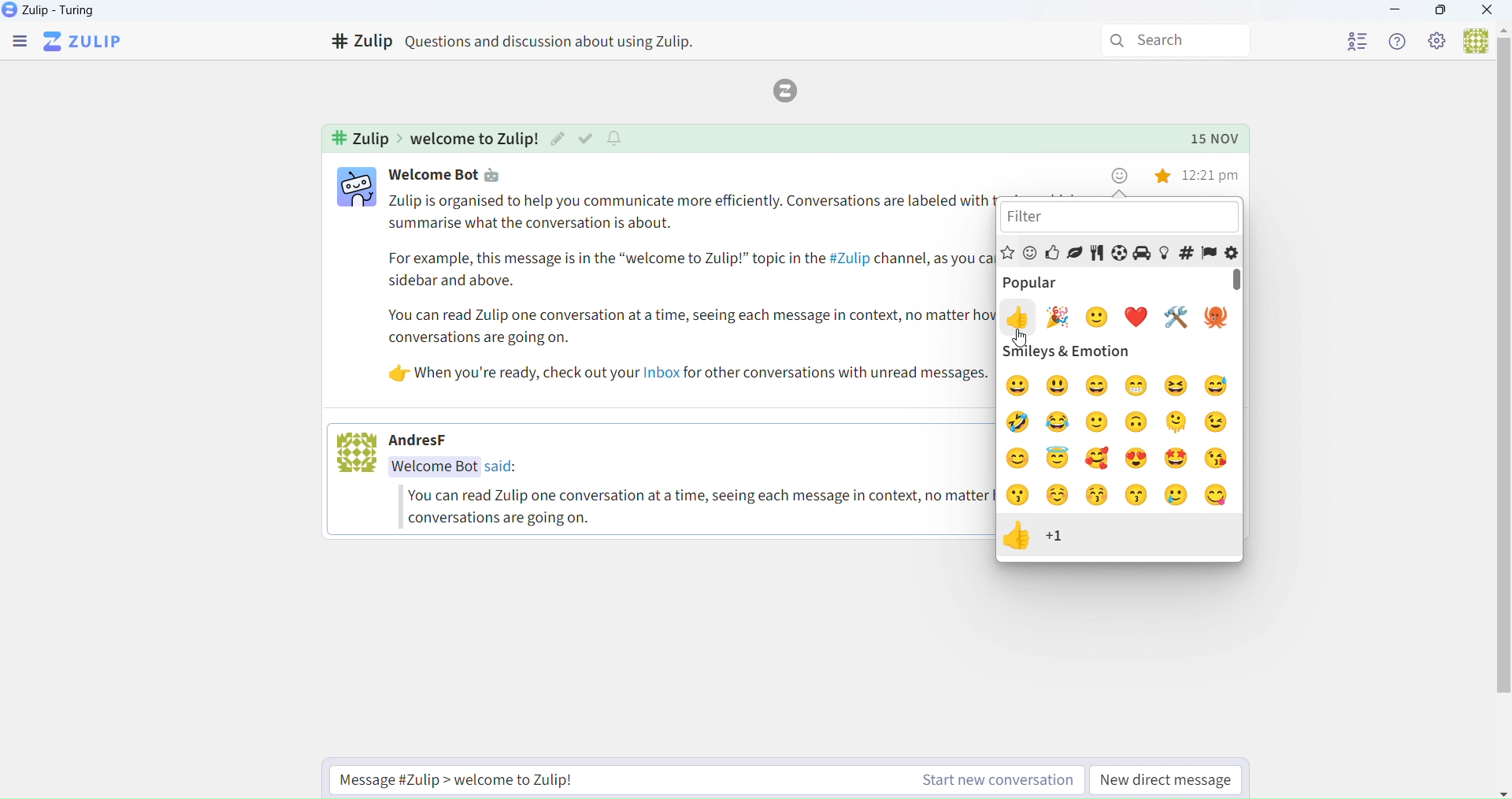 This screenshot has height=799, width=1512. What do you see at coordinates (1099, 317) in the screenshot?
I see `smiling face` at bounding box center [1099, 317].